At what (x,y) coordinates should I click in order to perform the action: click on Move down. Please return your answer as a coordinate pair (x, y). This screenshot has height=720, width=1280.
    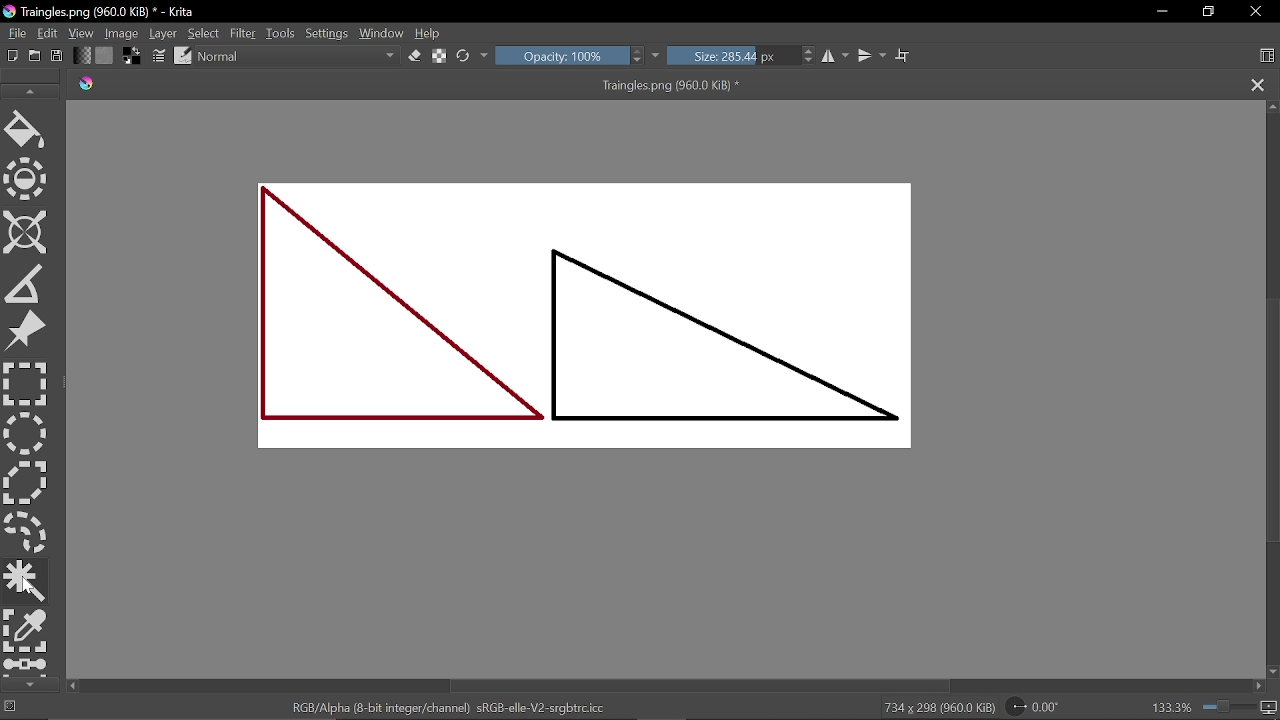
    Looking at the image, I should click on (1272, 673).